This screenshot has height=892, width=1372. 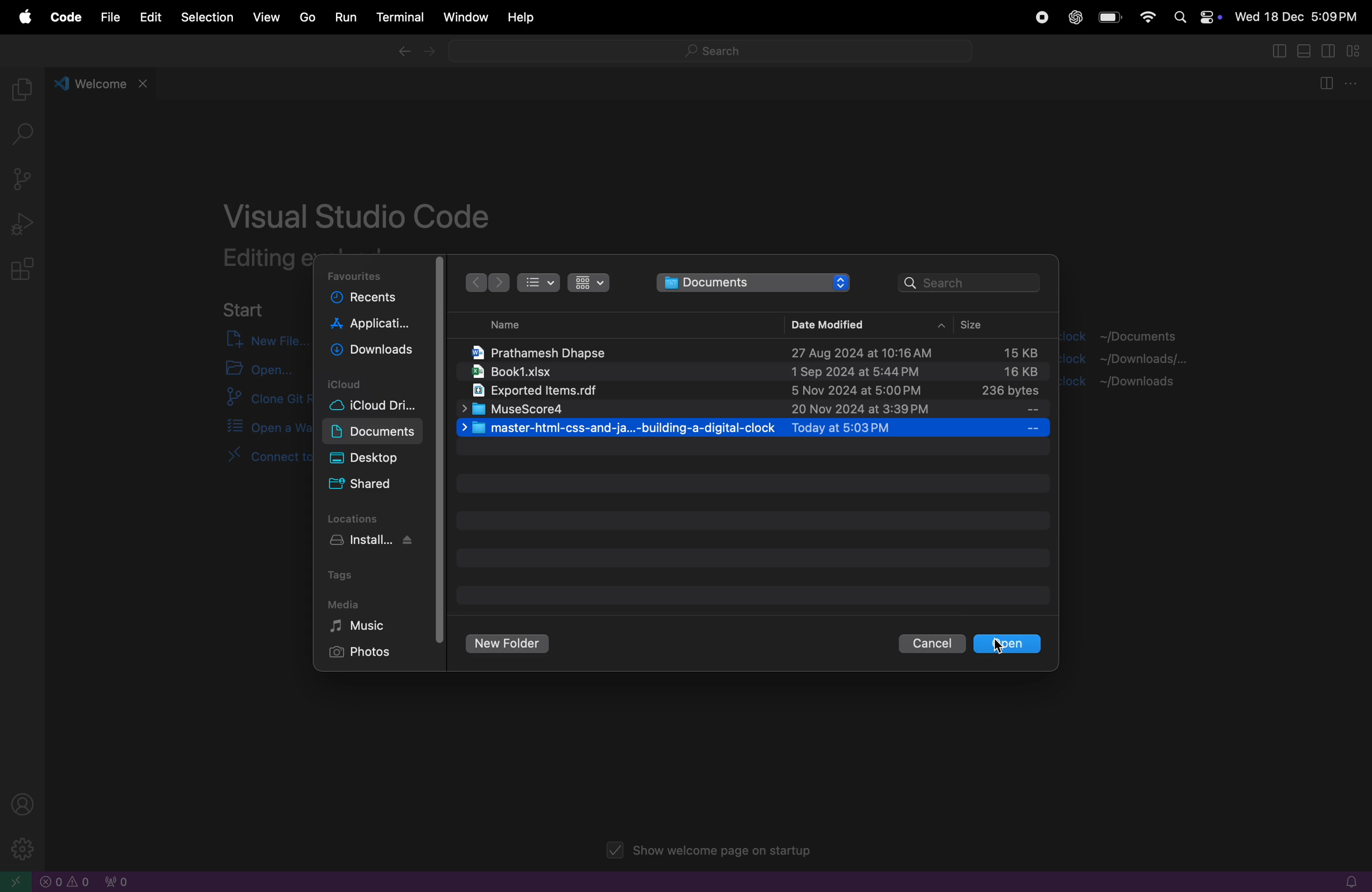 What do you see at coordinates (971, 281) in the screenshot?
I see `search` at bounding box center [971, 281].